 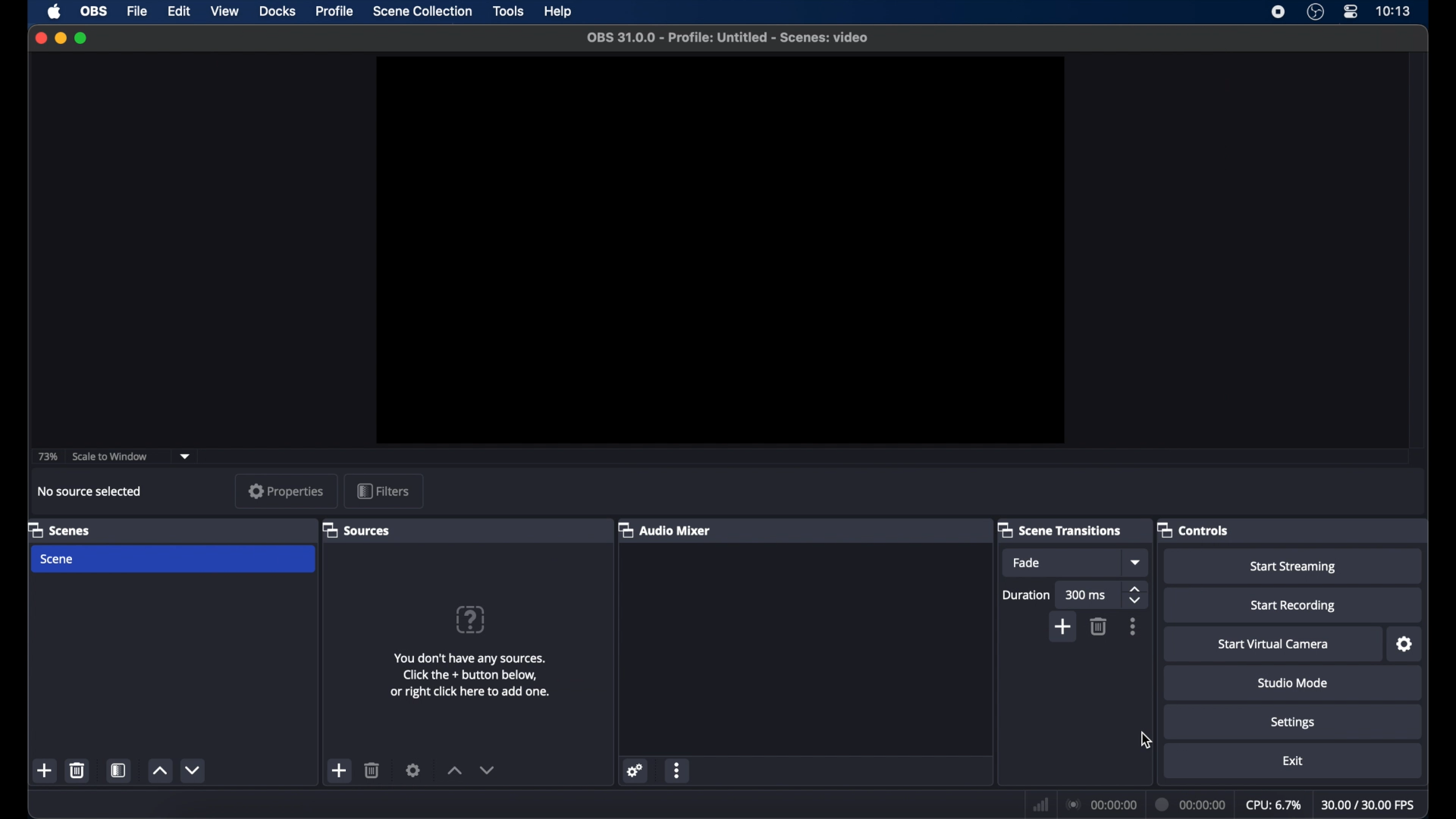 What do you see at coordinates (1025, 596) in the screenshot?
I see `duration` at bounding box center [1025, 596].